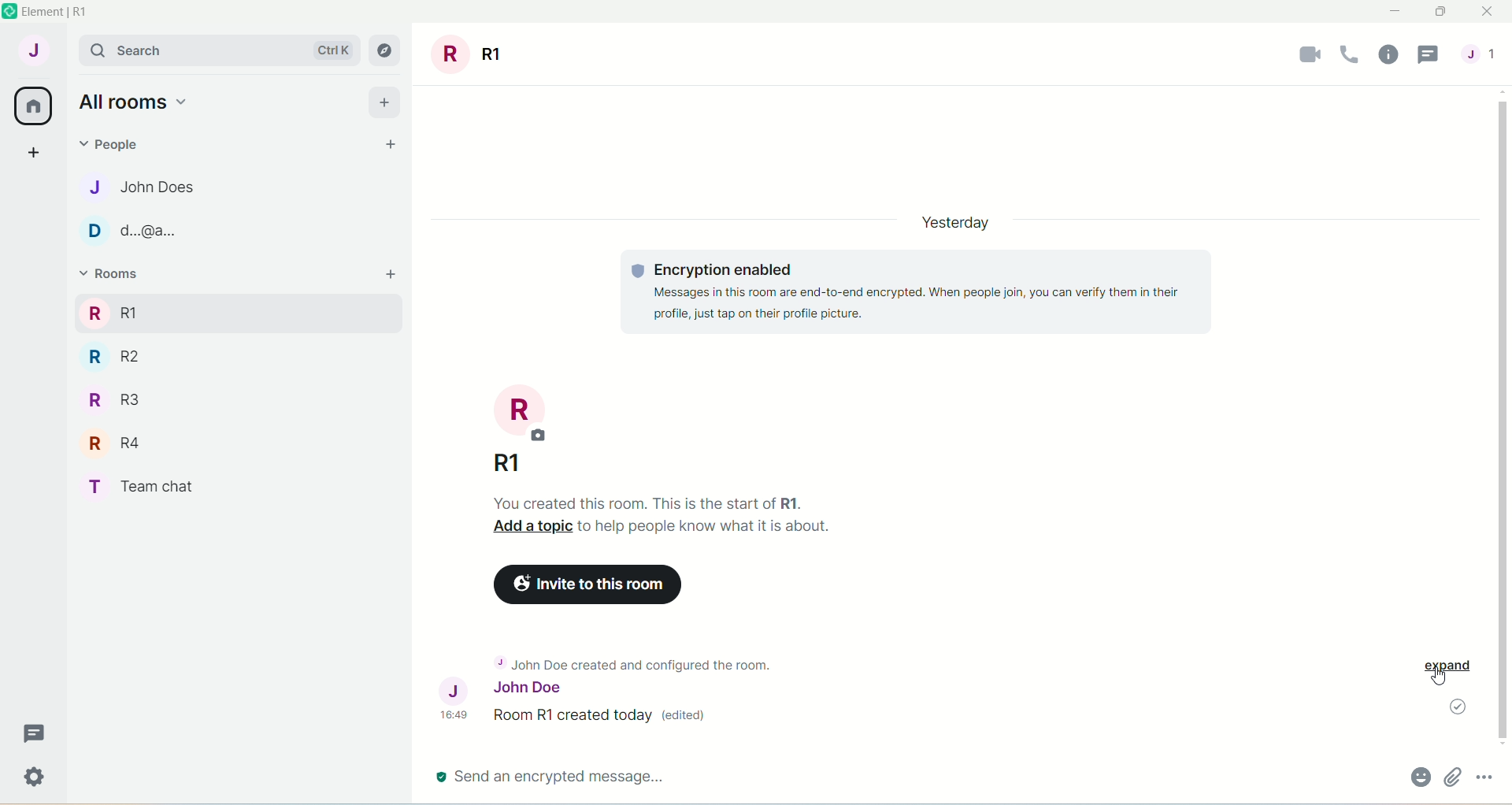  What do you see at coordinates (1492, 11) in the screenshot?
I see `close` at bounding box center [1492, 11].